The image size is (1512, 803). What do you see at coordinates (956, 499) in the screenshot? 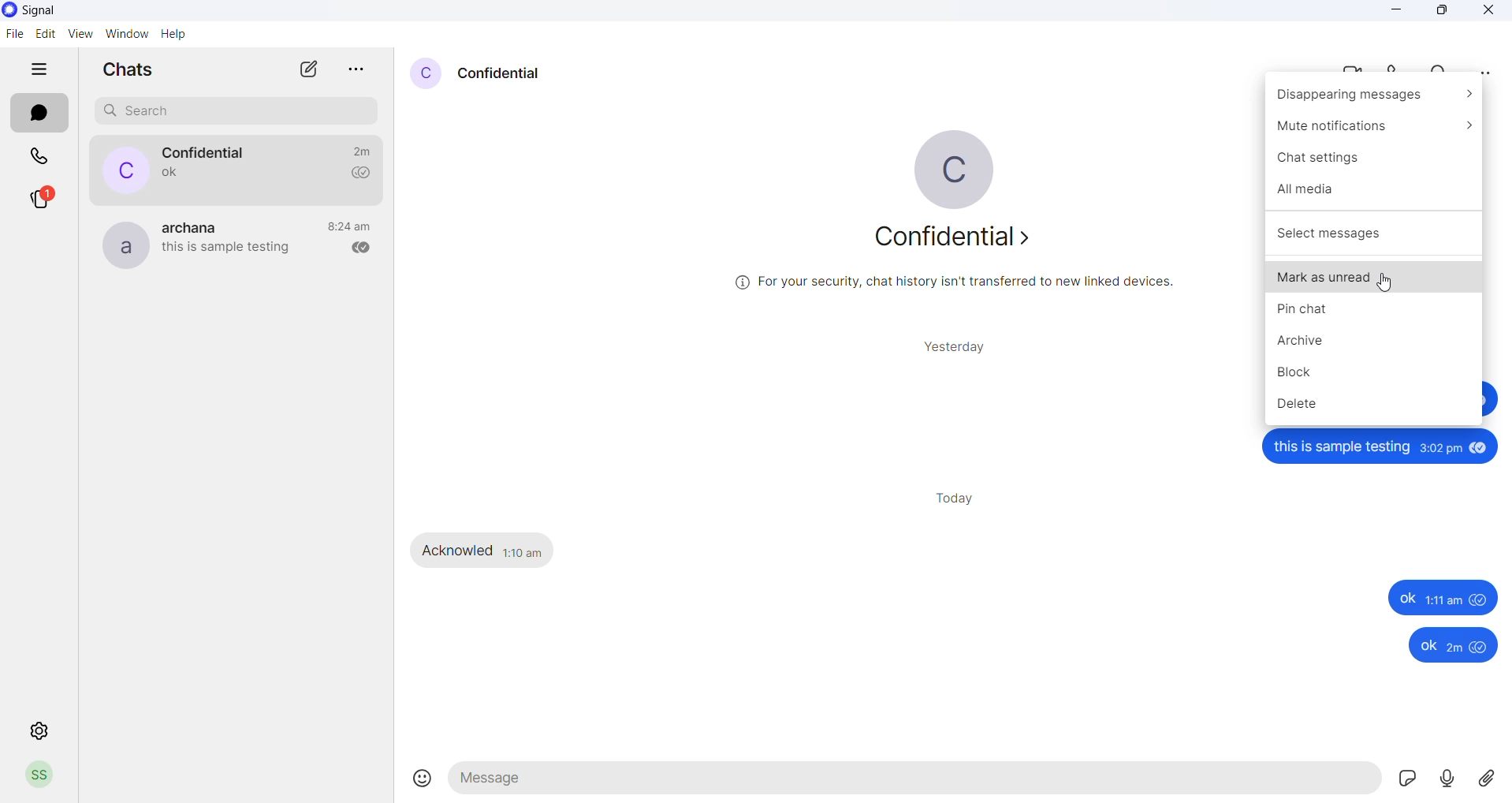
I see `today heading` at bounding box center [956, 499].